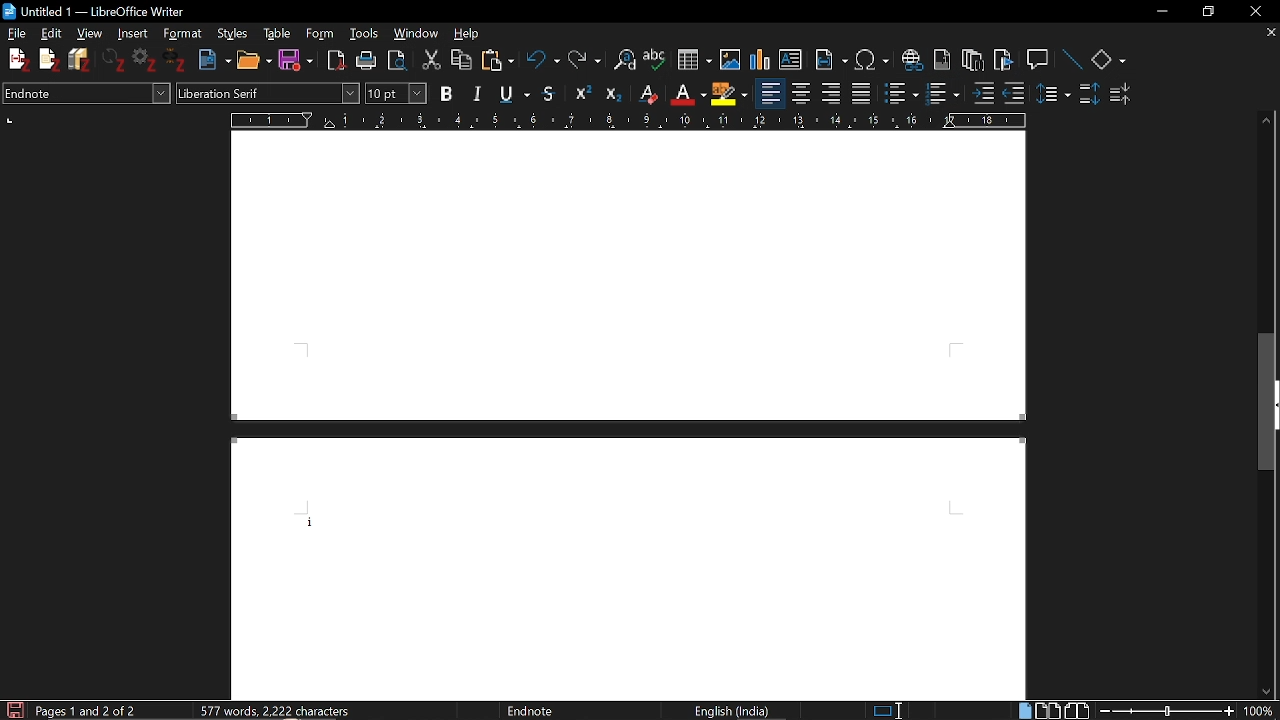  What do you see at coordinates (982, 94) in the screenshot?
I see `Increase indent` at bounding box center [982, 94].